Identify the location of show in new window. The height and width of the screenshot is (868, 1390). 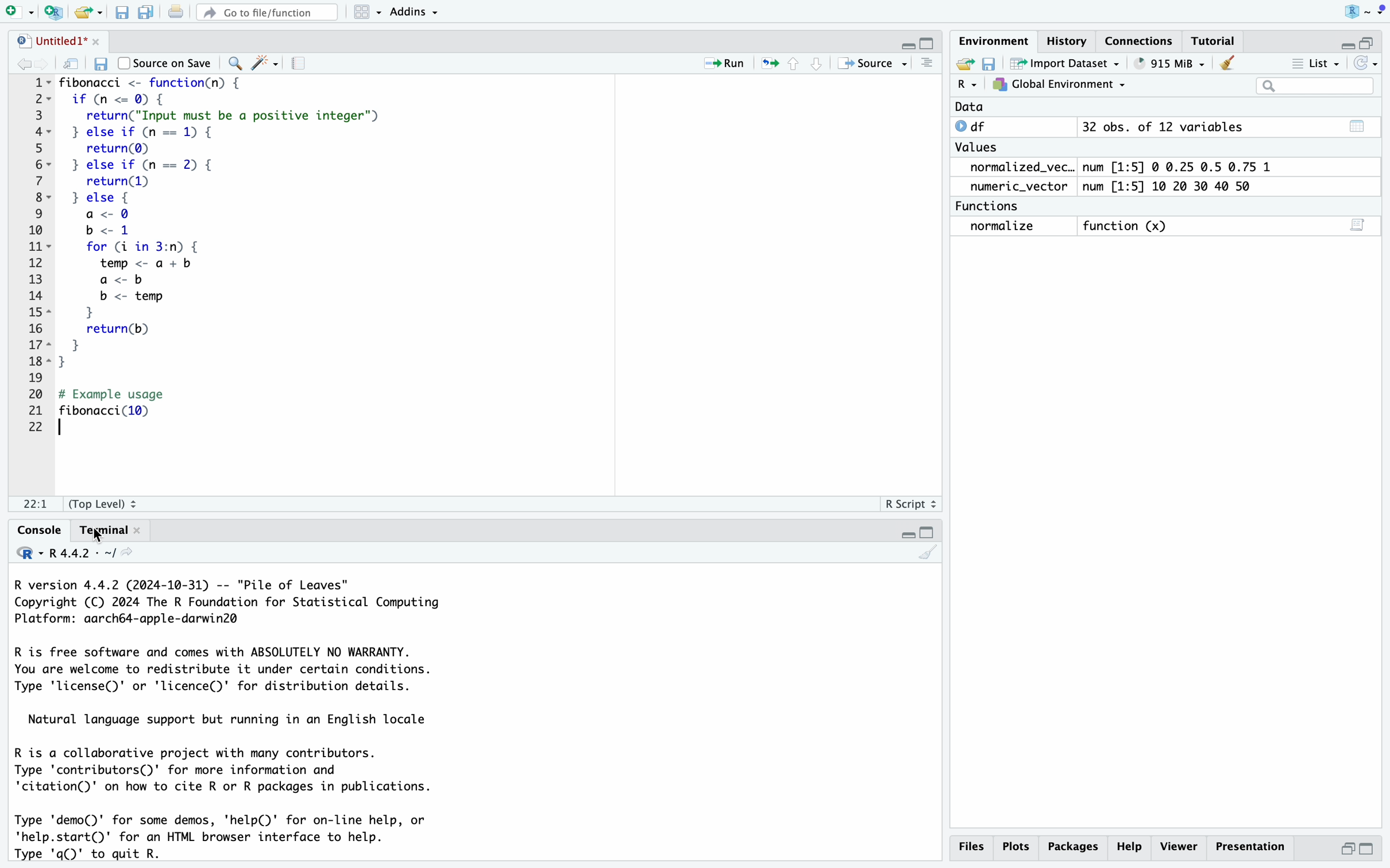
(73, 66).